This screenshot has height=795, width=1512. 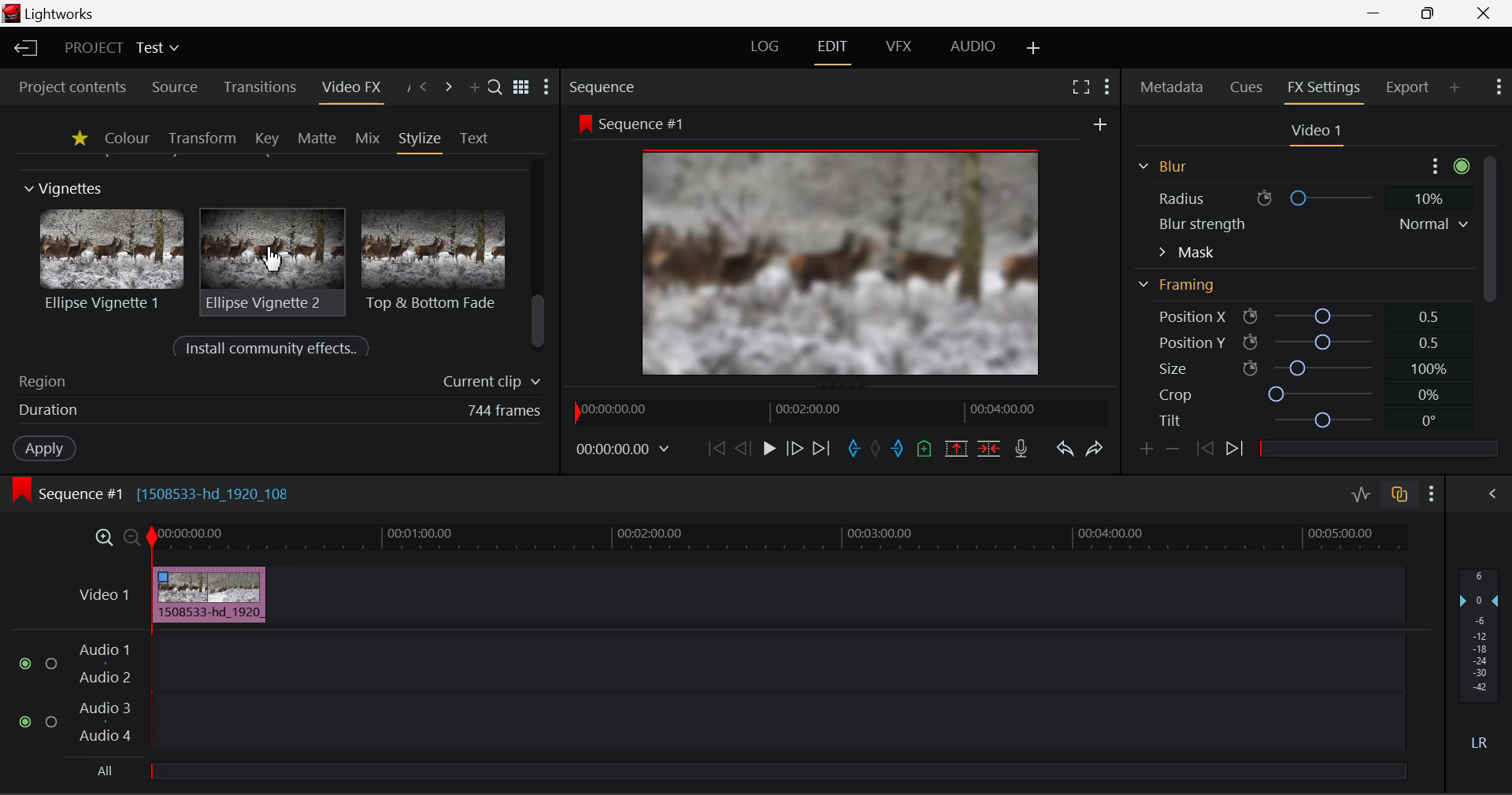 What do you see at coordinates (157, 492) in the screenshot?
I see `Sequence #1 Edit Timeline` at bounding box center [157, 492].